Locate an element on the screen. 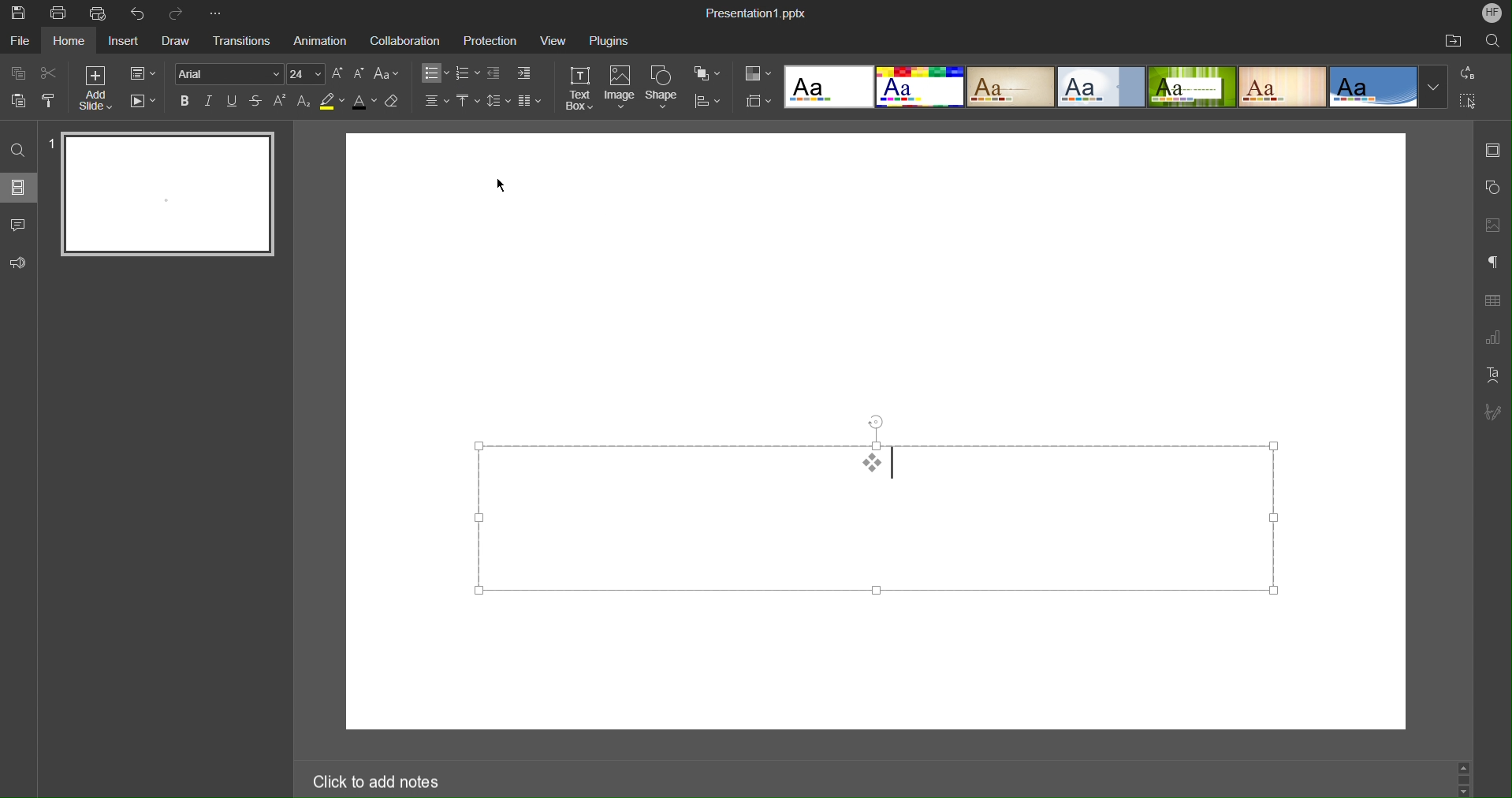  Increase Indent is located at coordinates (493, 73).